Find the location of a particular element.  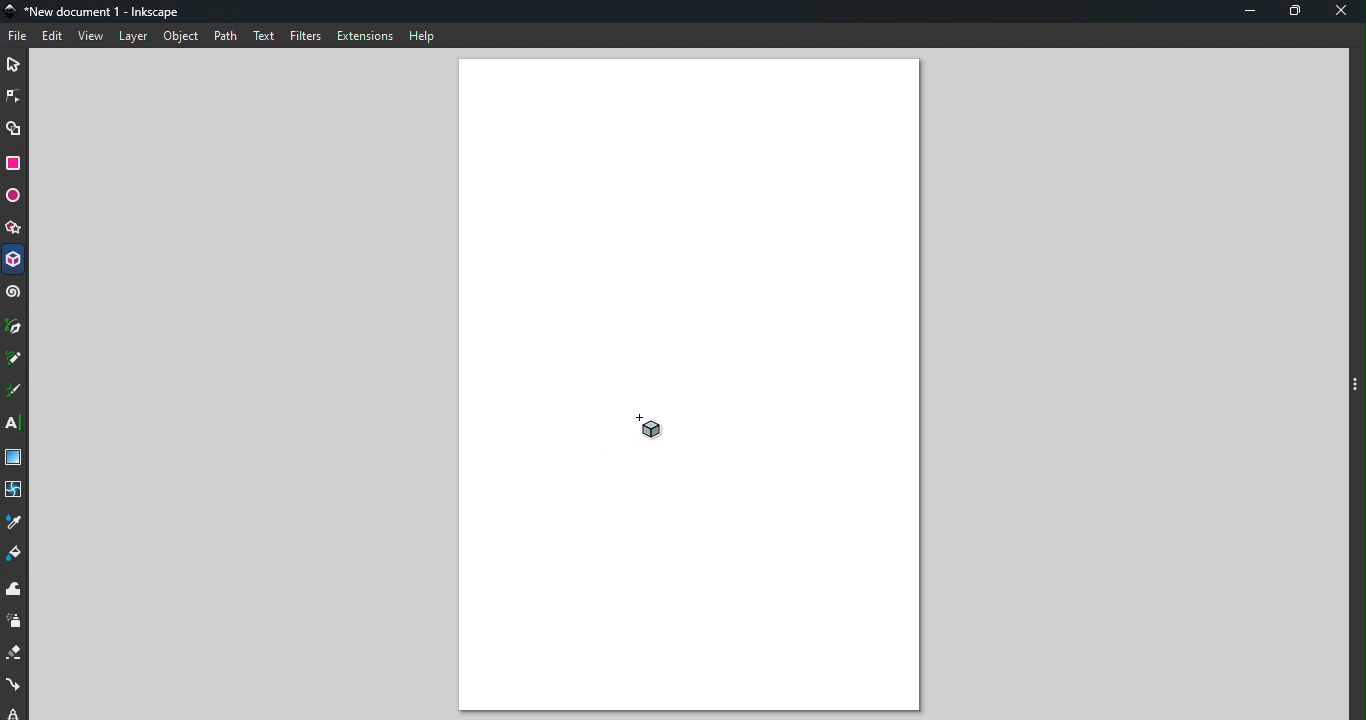

Layer is located at coordinates (133, 38).